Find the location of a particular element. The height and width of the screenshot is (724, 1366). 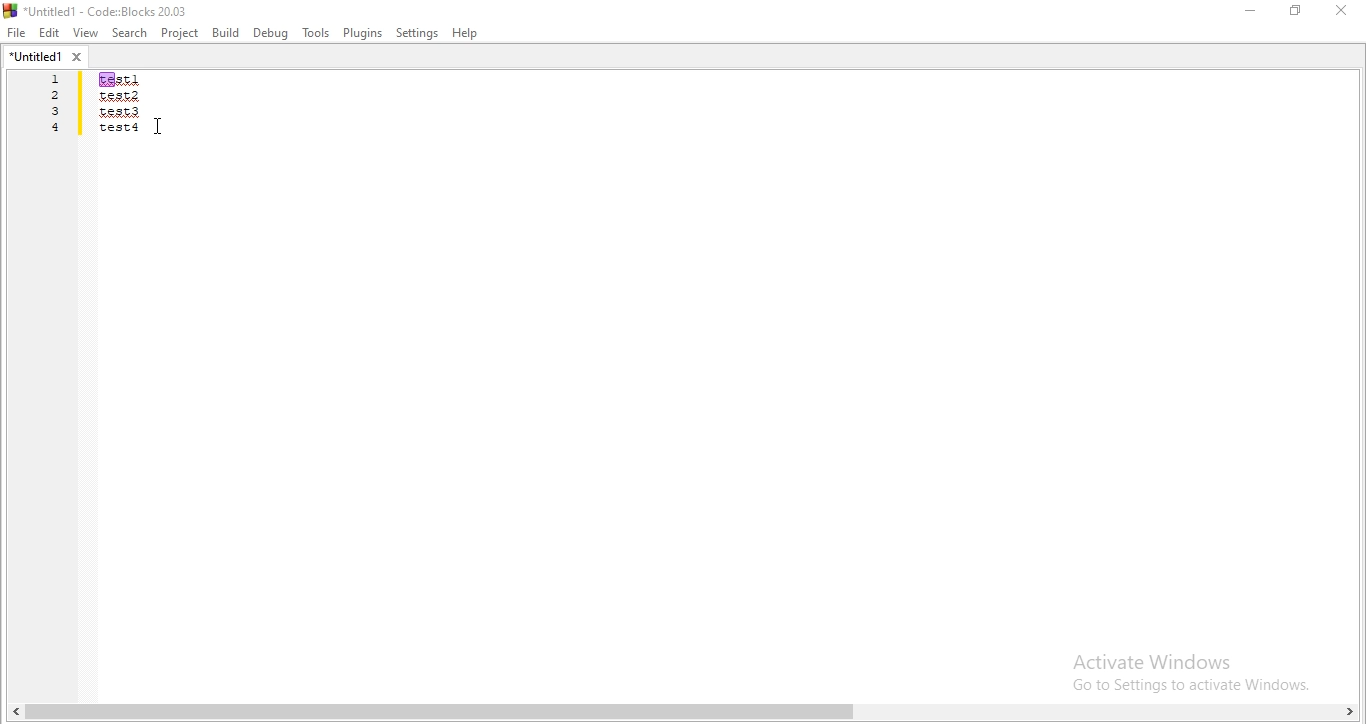

untitled1 is located at coordinates (46, 55).